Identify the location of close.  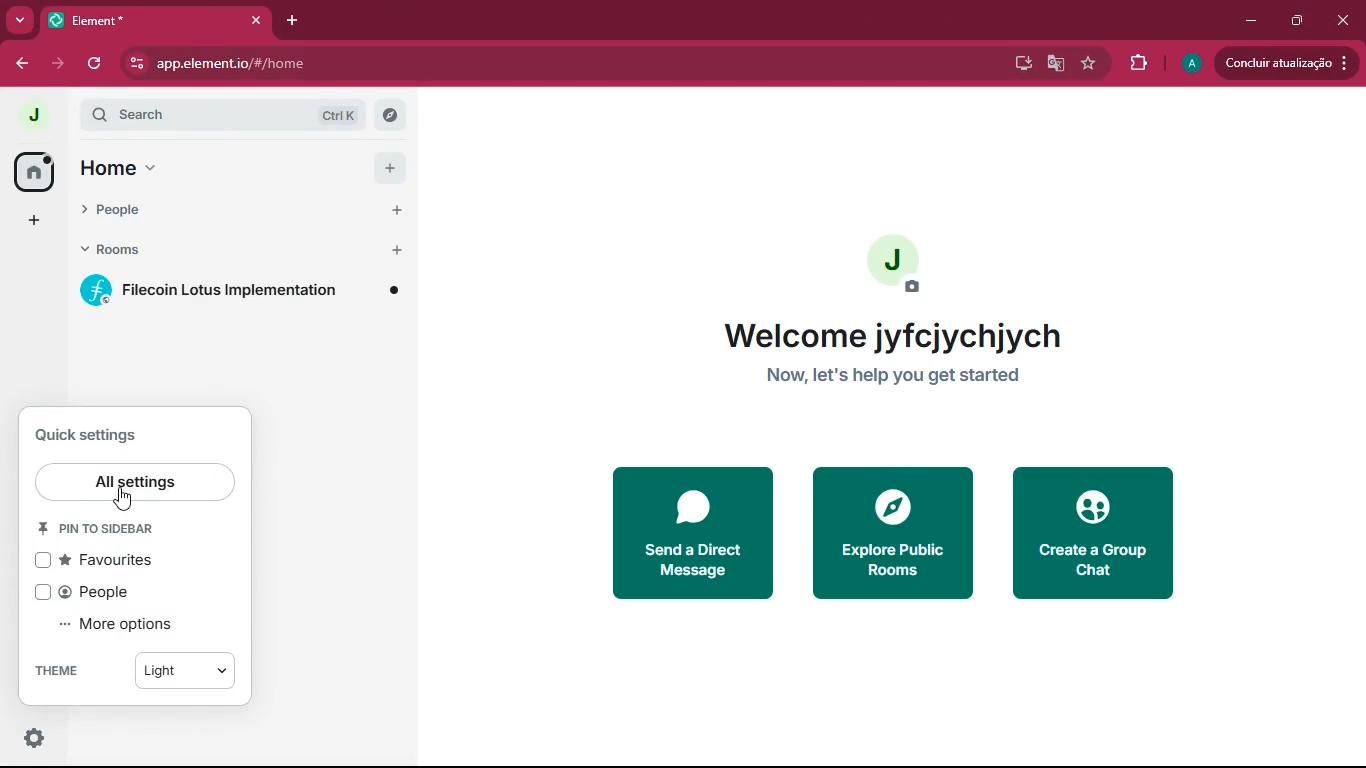
(1341, 20).